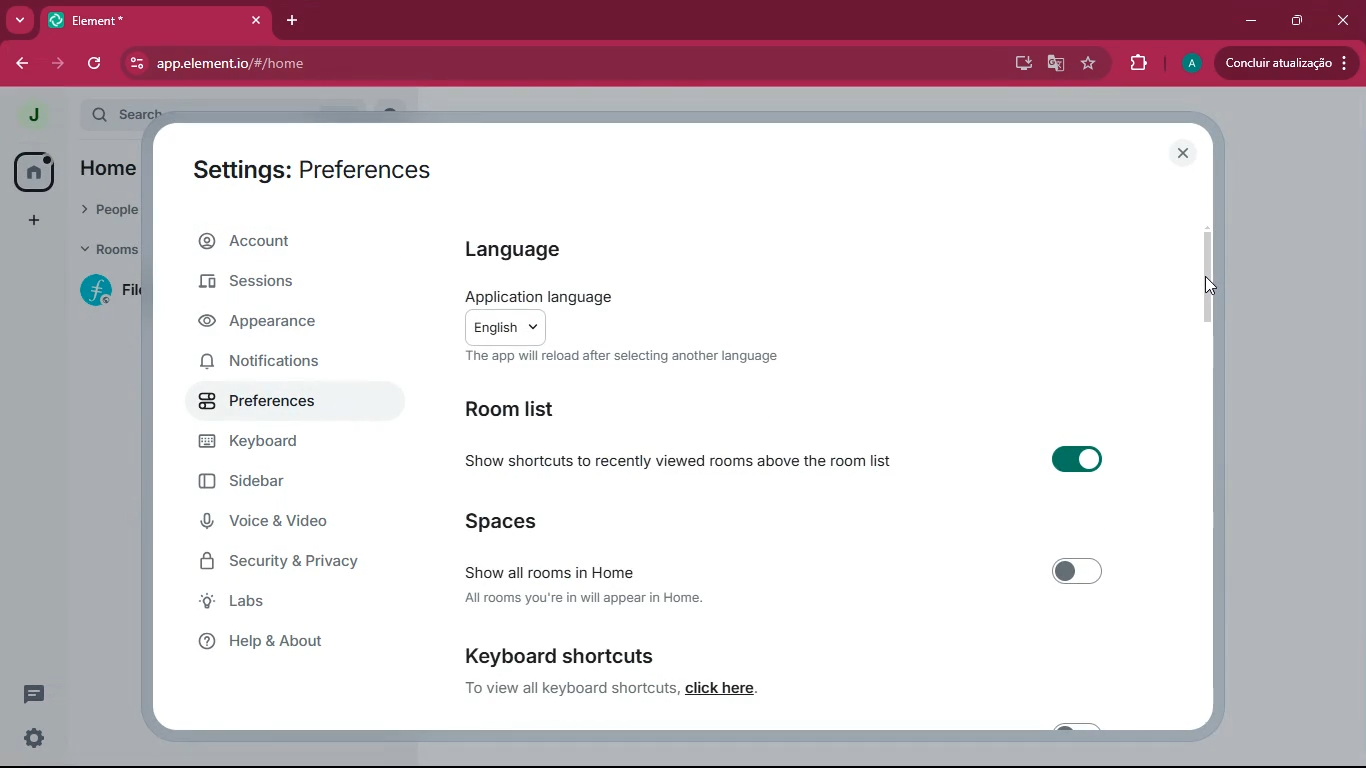  I want to click on back, so click(18, 64).